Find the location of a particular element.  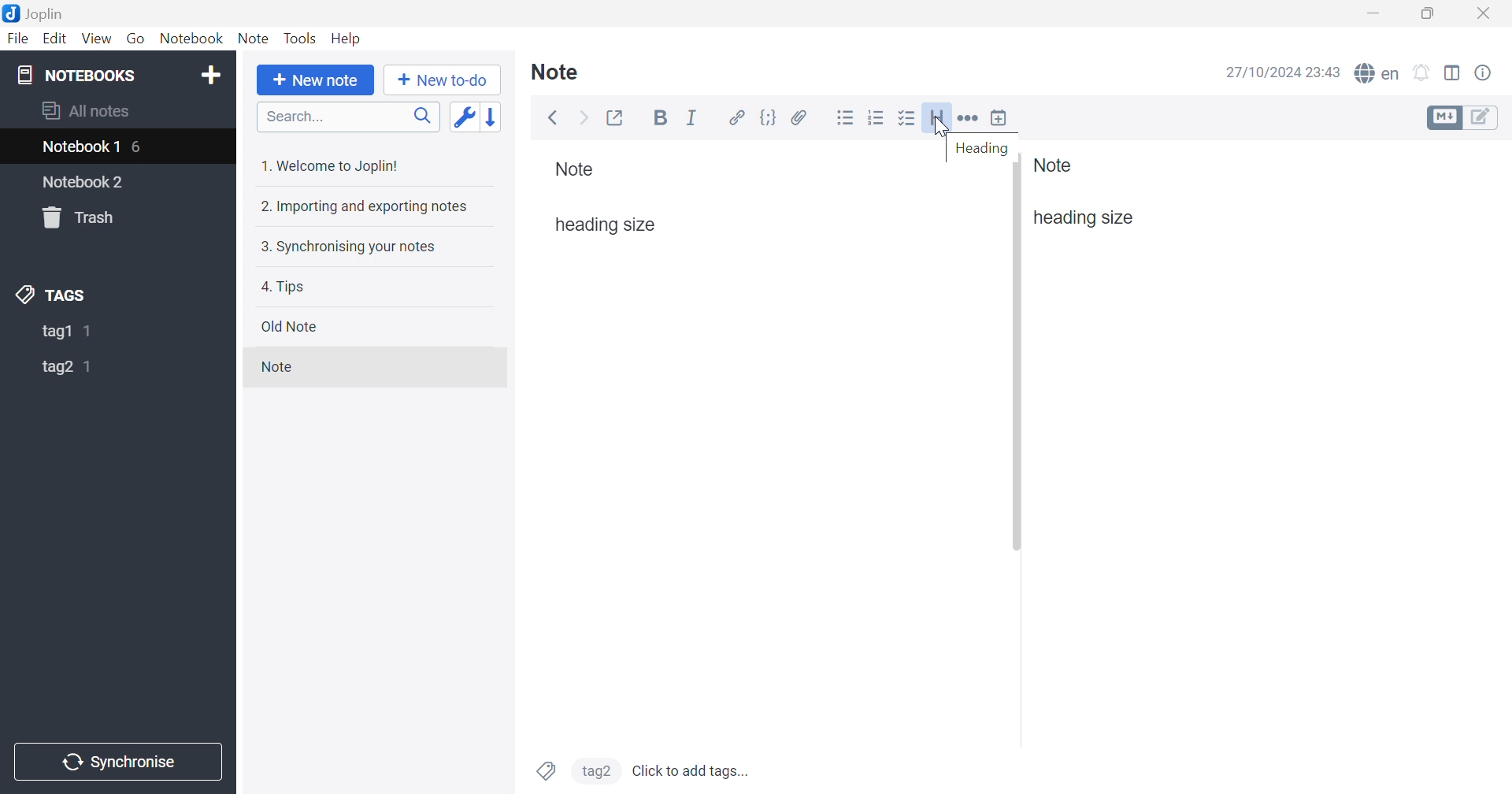

Joplin logo is located at coordinates (14, 13).